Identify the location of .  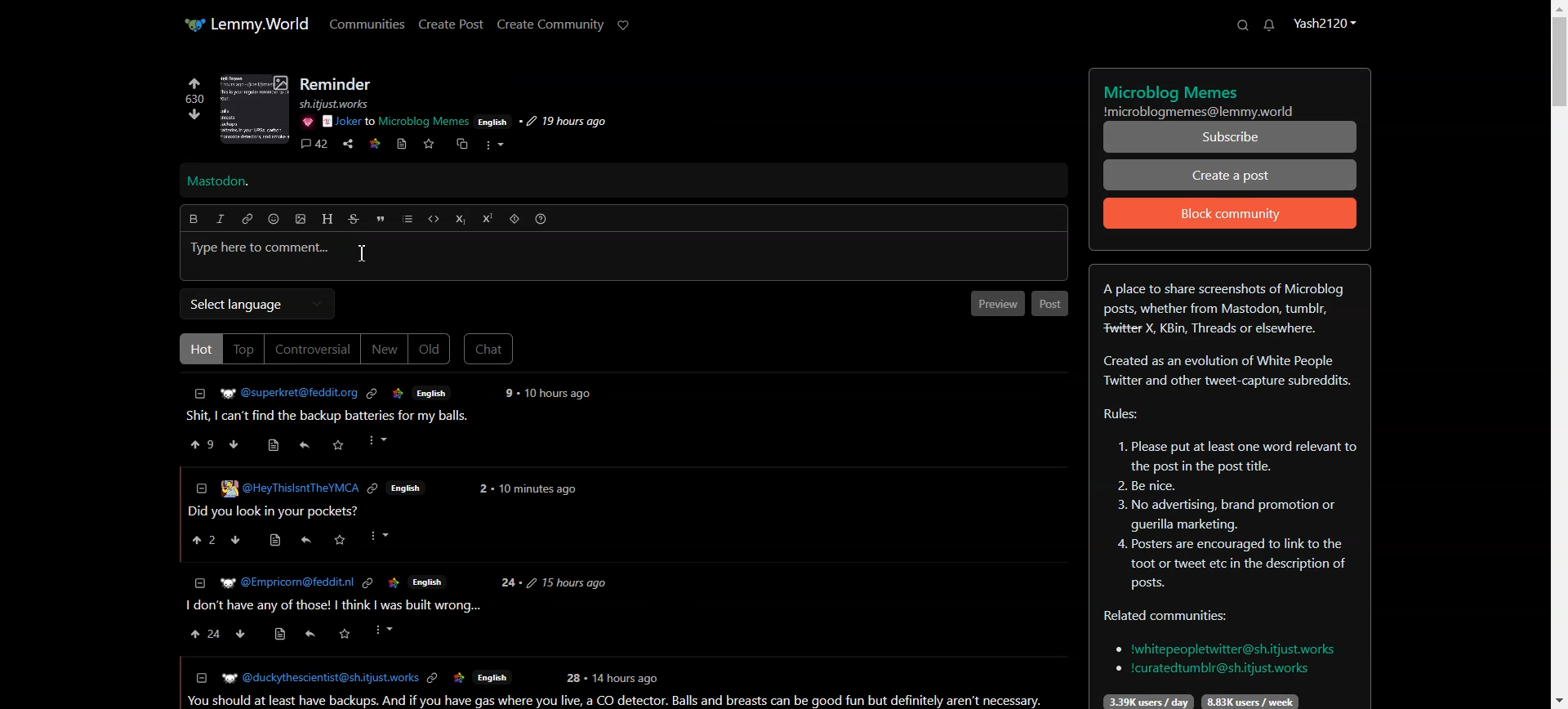
(572, 678).